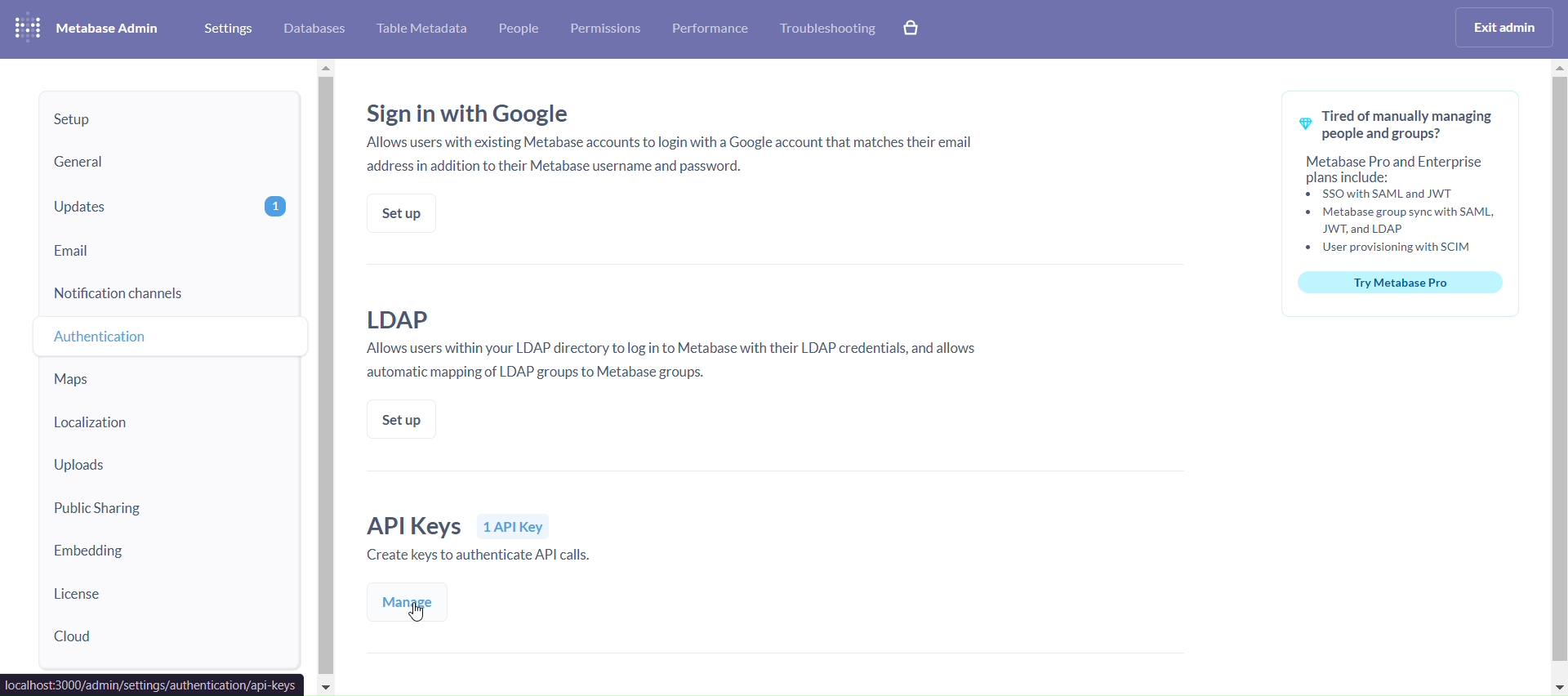 The height and width of the screenshot is (696, 1568). What do you see at coordinates (421, 613) in the screenshot?
I see `cursor` at bounding box center [421, 613].